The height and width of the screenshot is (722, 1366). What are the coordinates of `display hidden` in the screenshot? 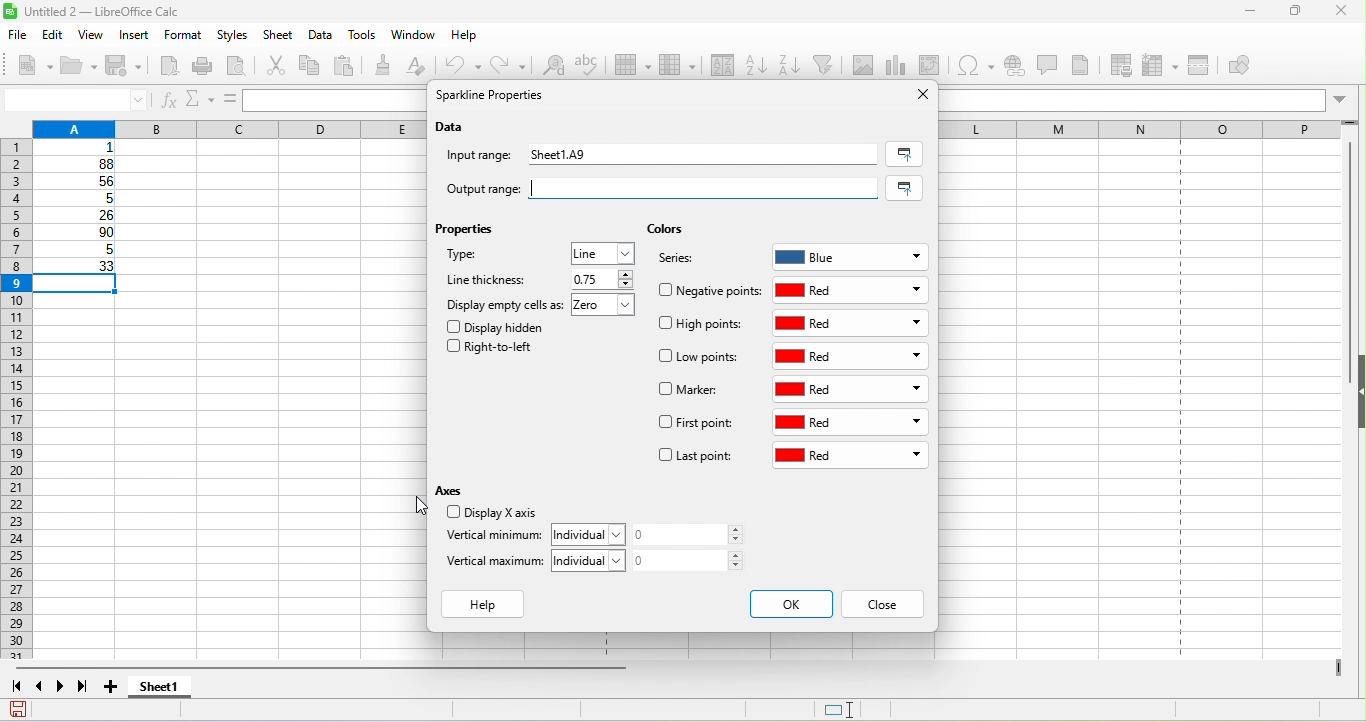 It's located at (500, 326).